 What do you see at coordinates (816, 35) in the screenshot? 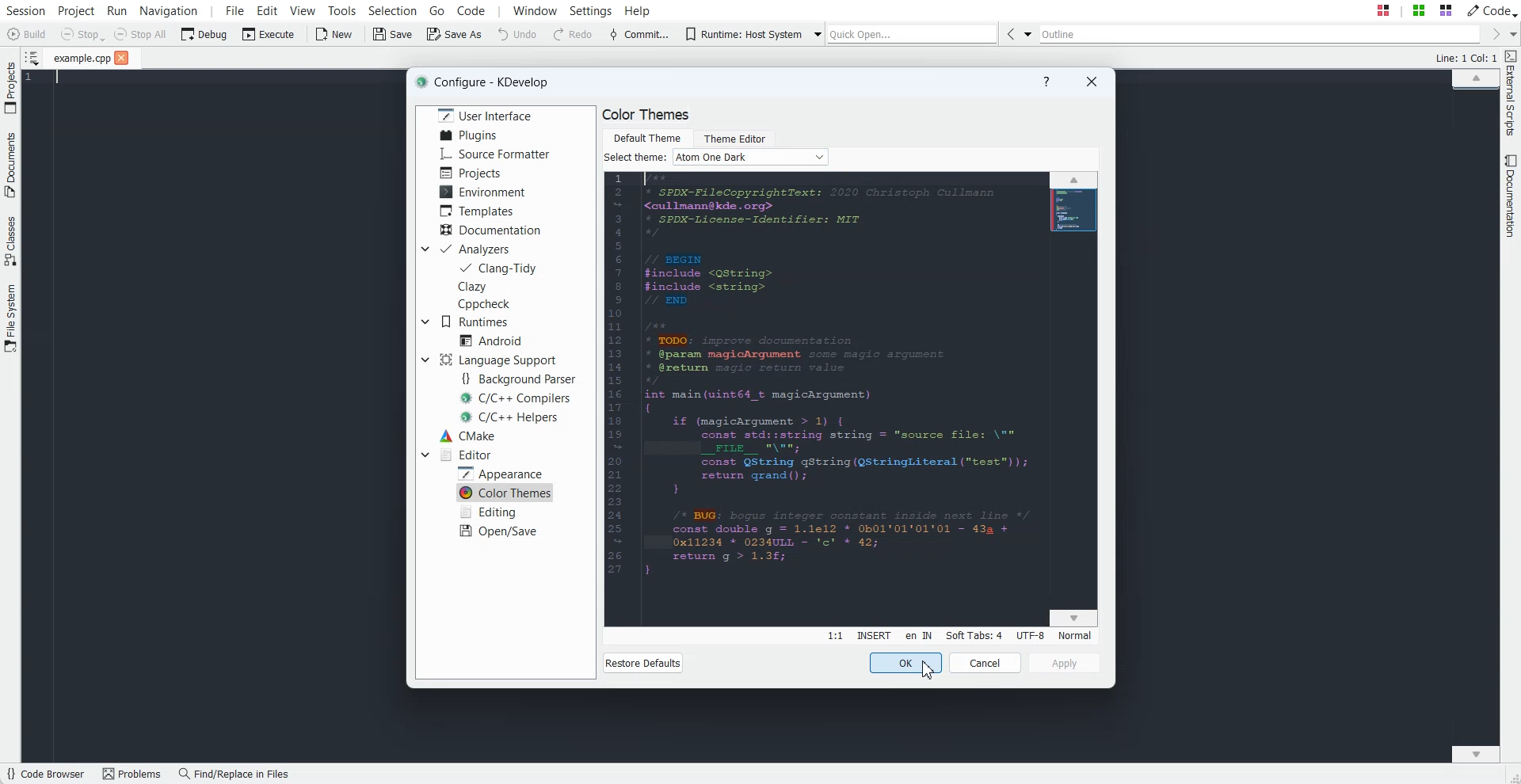
I see `Drop down box` at bounding box center [816, 35].